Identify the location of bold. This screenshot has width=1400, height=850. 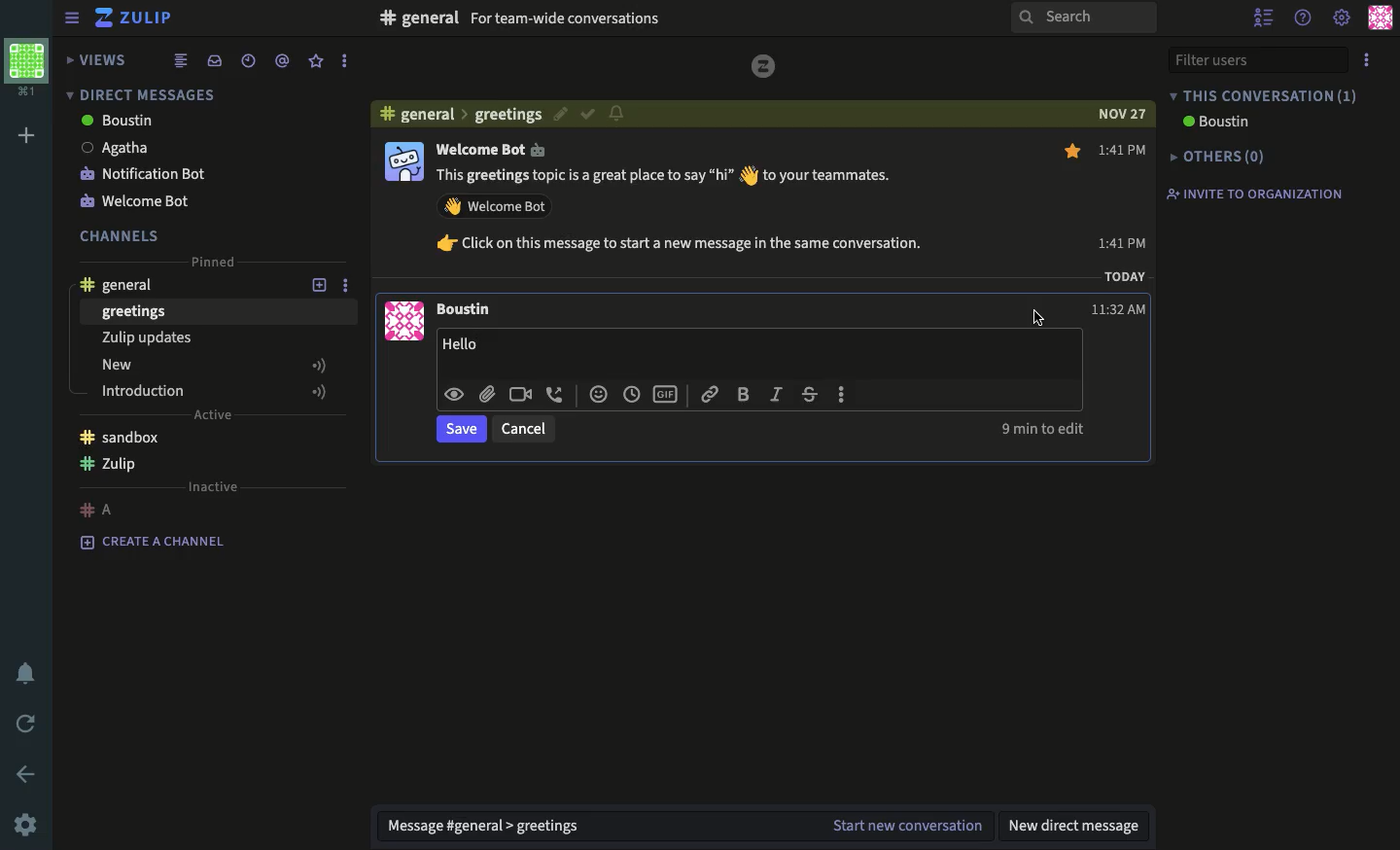
(744, 397).